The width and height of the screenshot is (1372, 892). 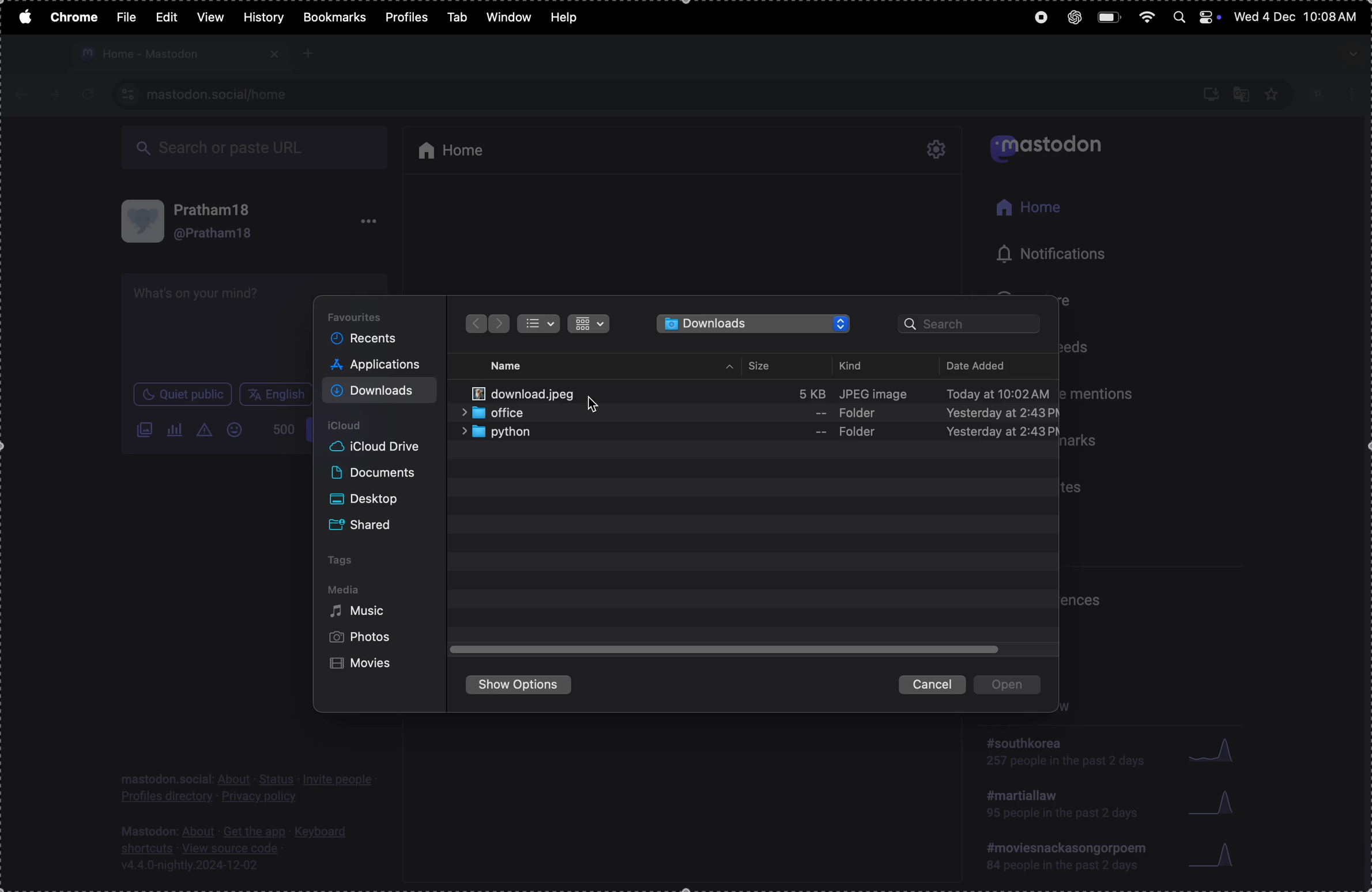 I want to click on Tab, so click(x=457, y=16).